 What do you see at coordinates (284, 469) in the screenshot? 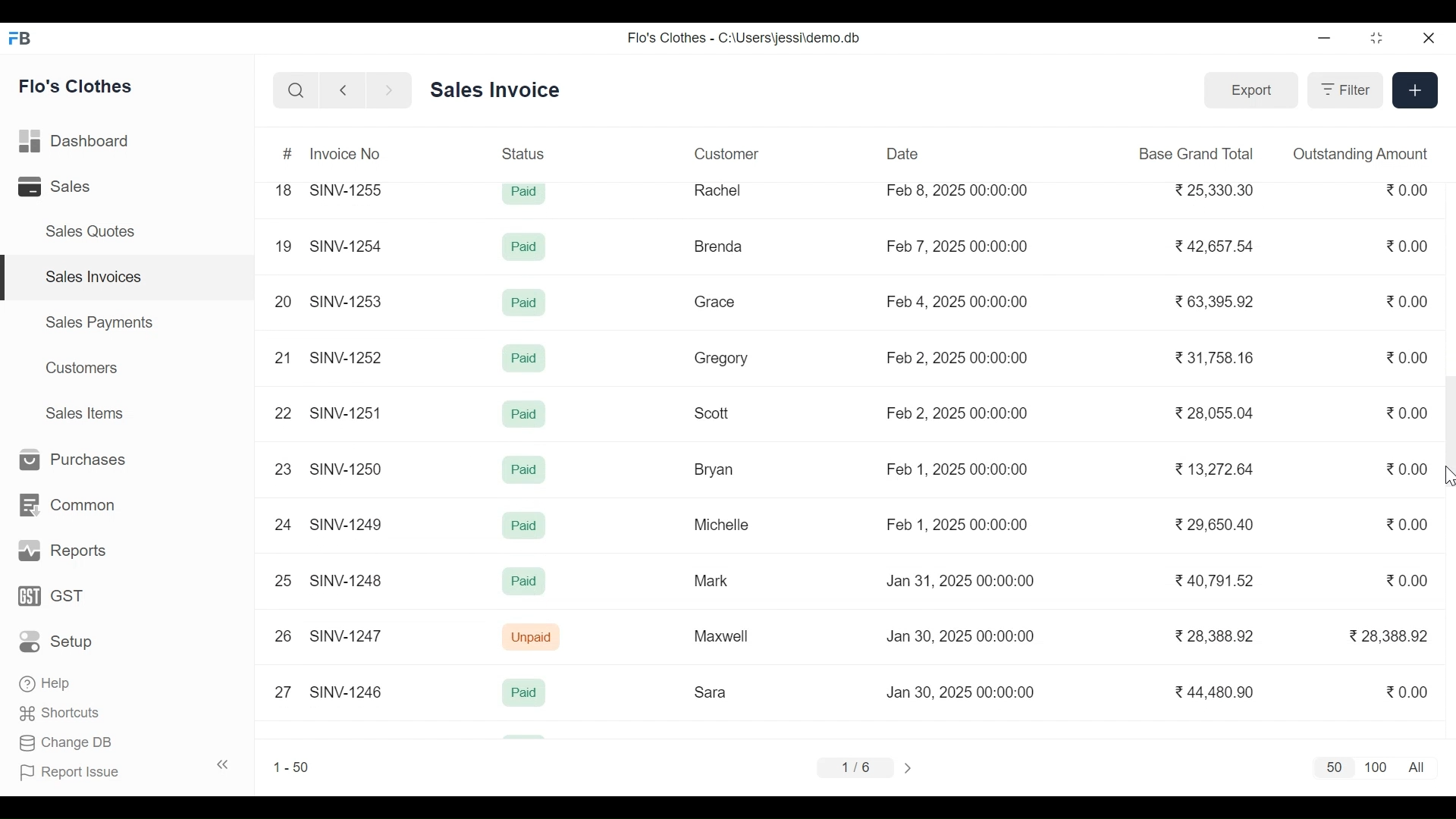
I see `23` at bounding box center [284, 469].